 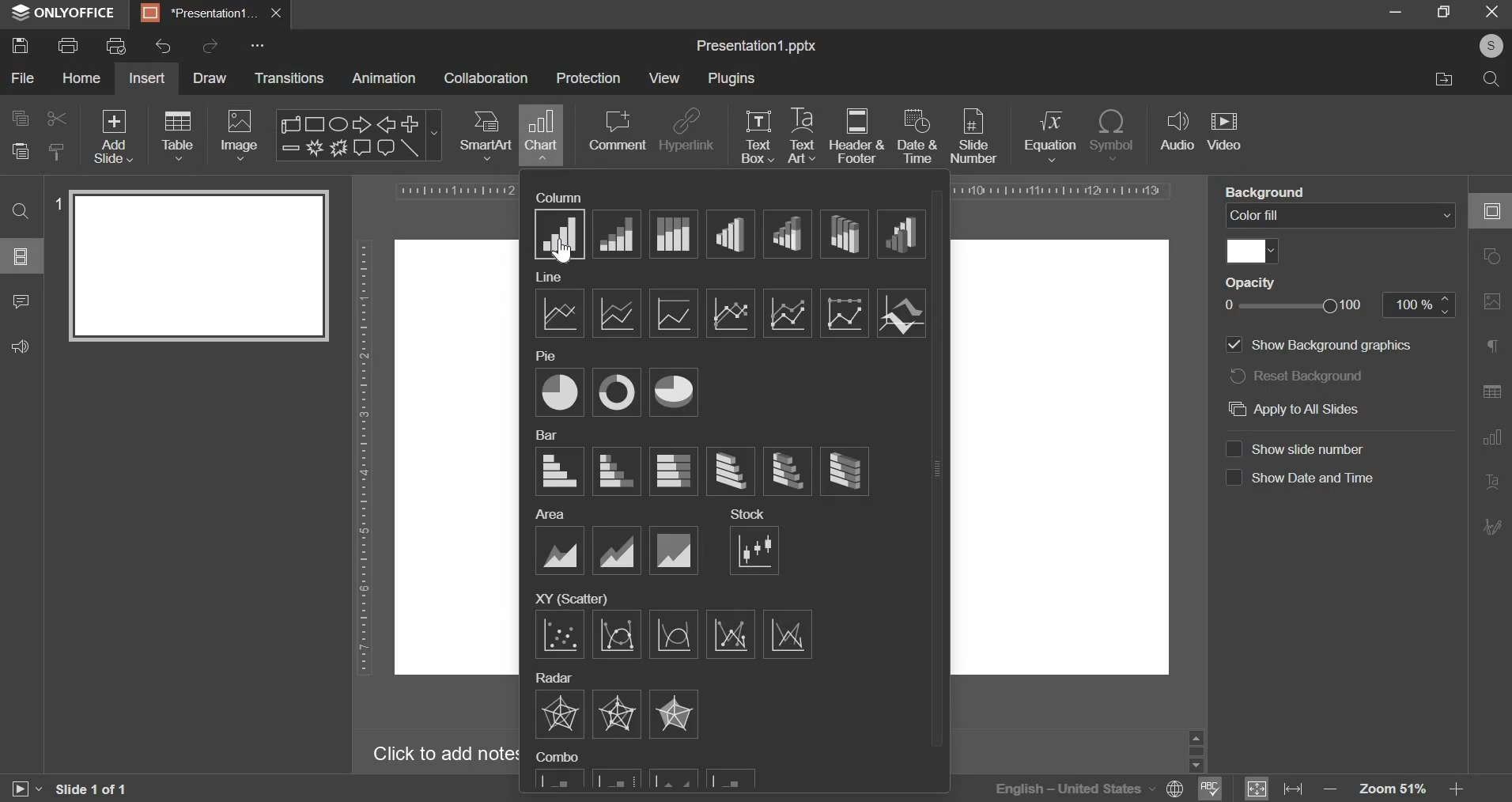 What do you see at coordinates (702, 471) in the screenshot?
I see `bar chart` at bounding box center [702, 471].